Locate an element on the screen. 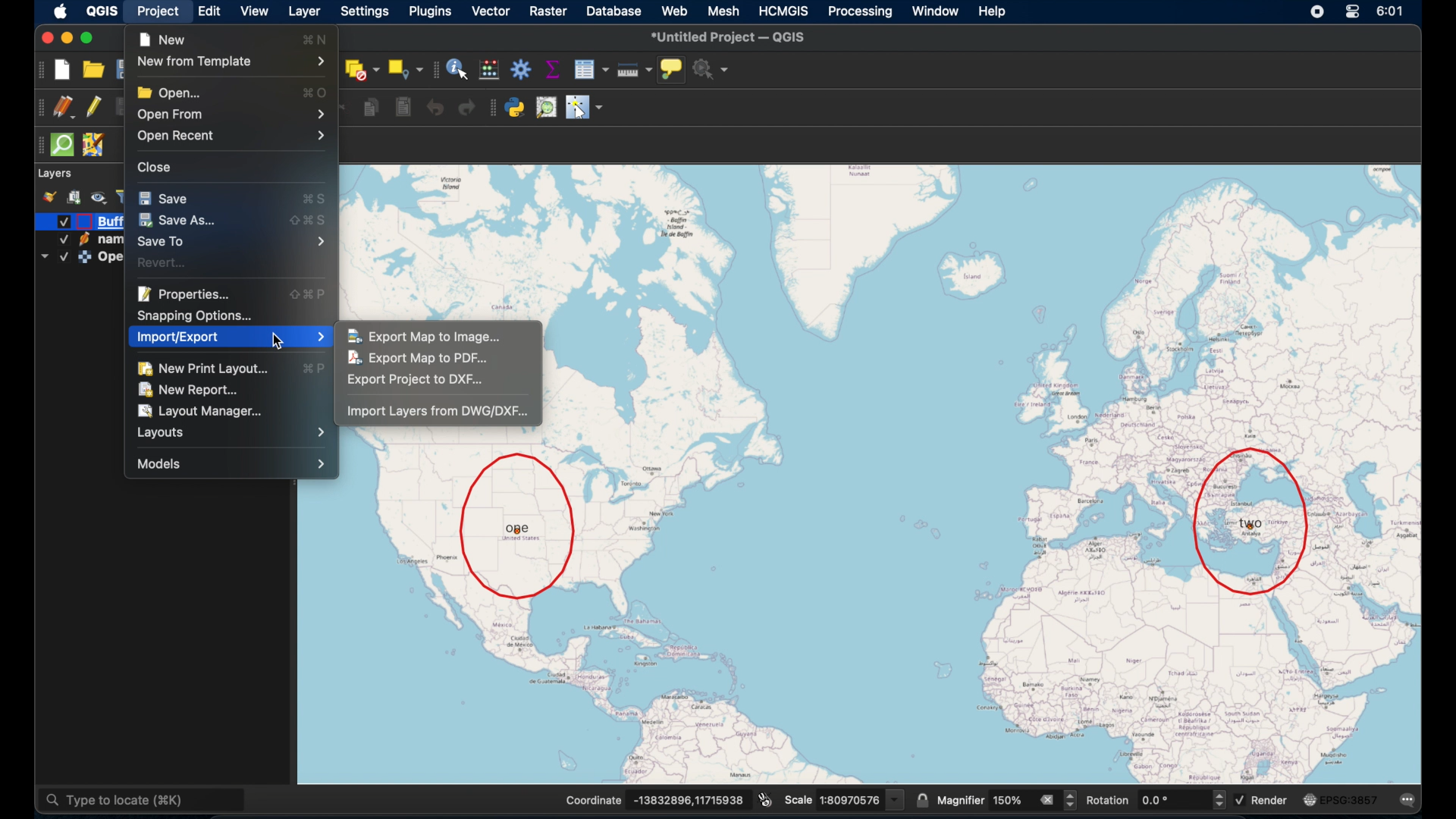 The width and height of the screenshot is (1456, 819). open form is located at coordinates (234, 115).